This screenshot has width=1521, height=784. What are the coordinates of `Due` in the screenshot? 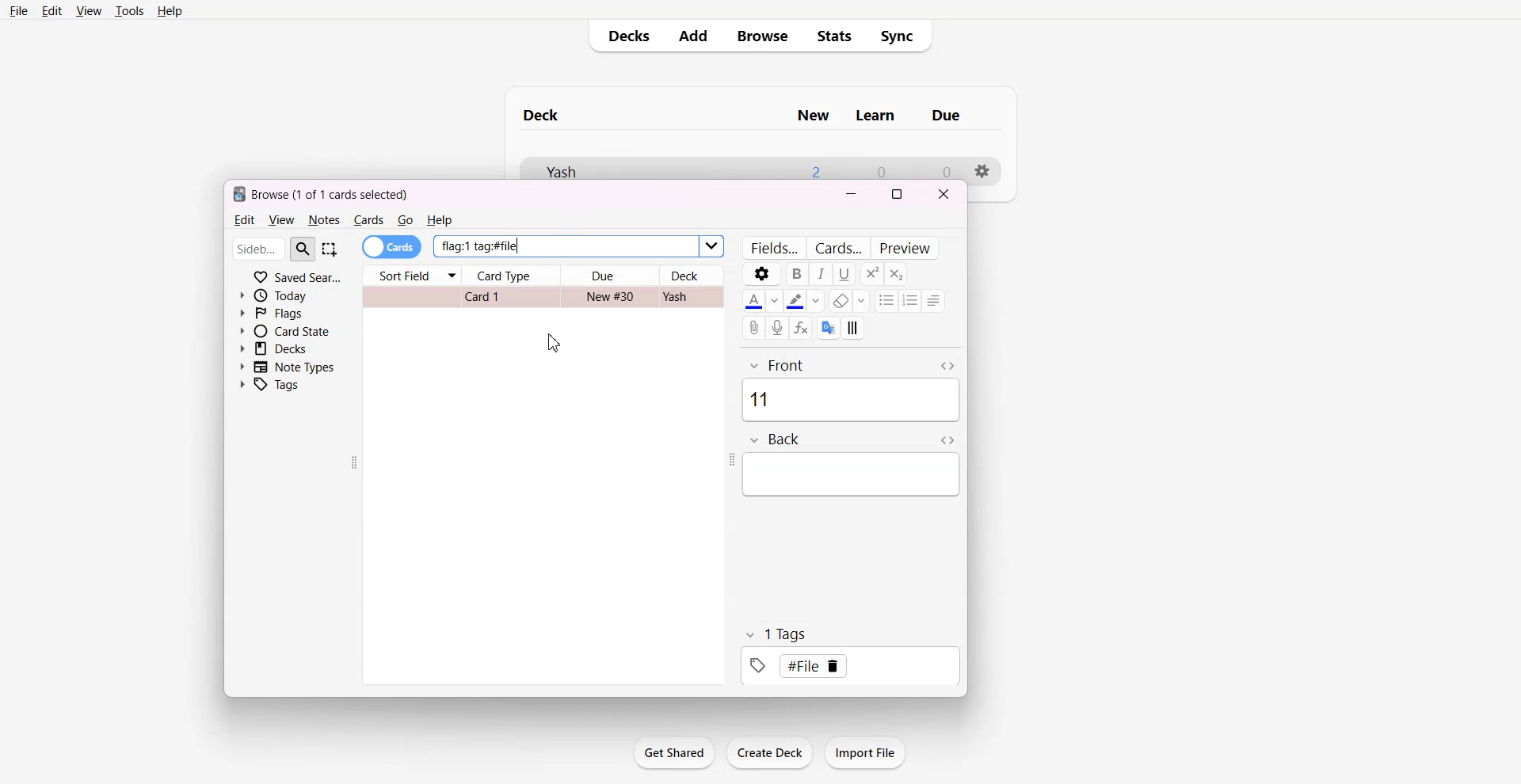 It's located at (955, 116).